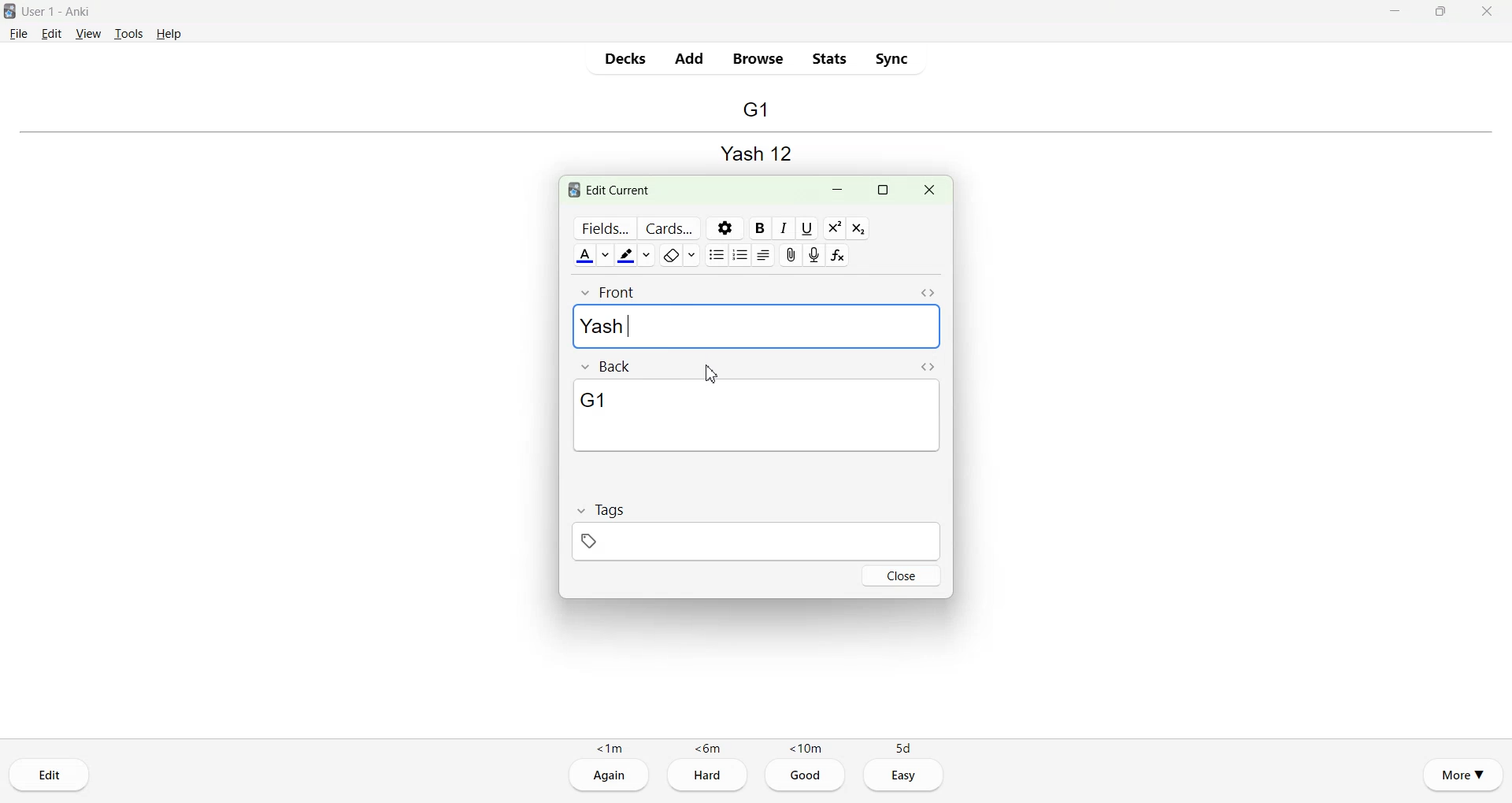  I want to click on Customization Cards, so click(668, 228).